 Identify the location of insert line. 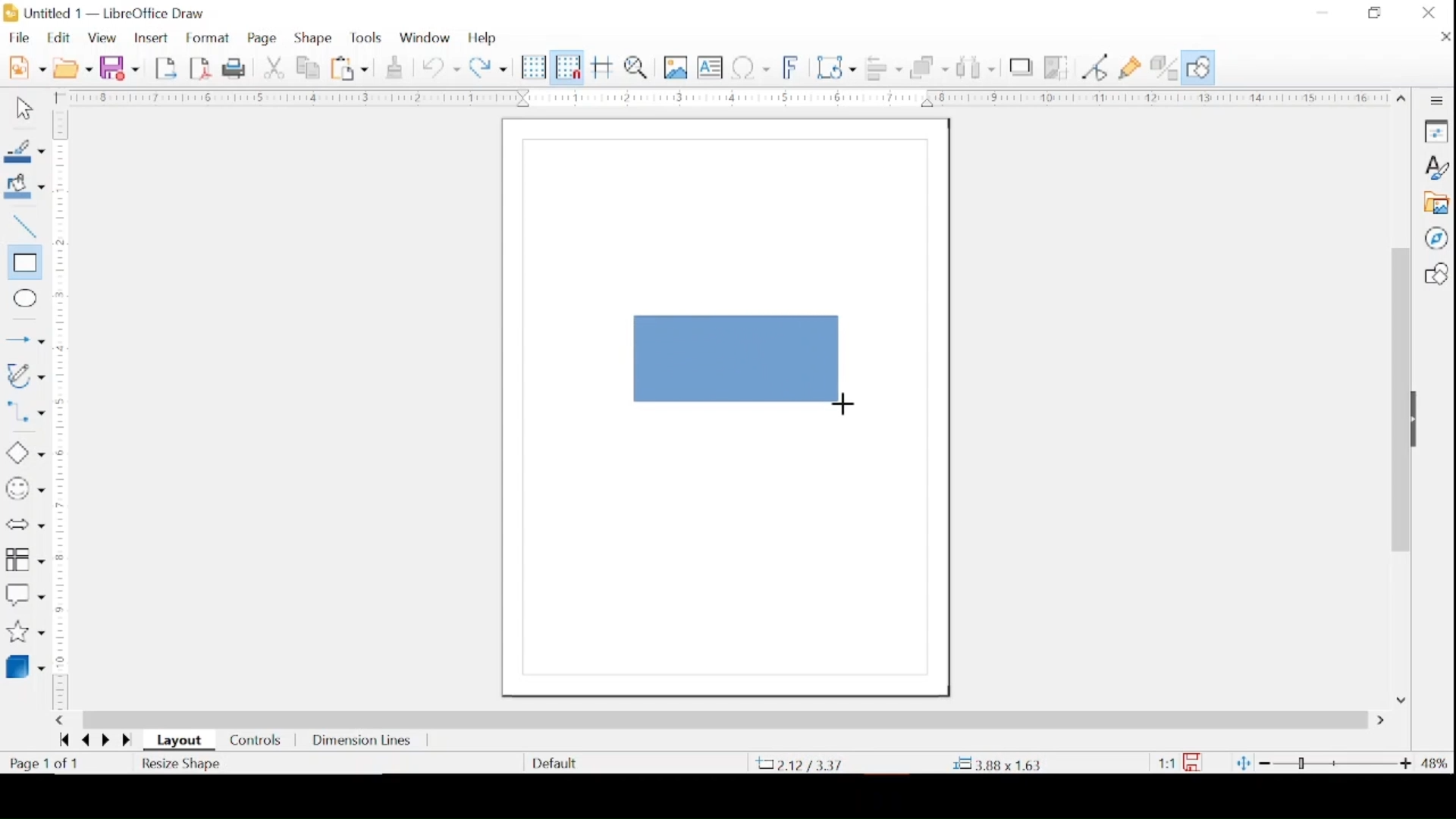
(25, 341).